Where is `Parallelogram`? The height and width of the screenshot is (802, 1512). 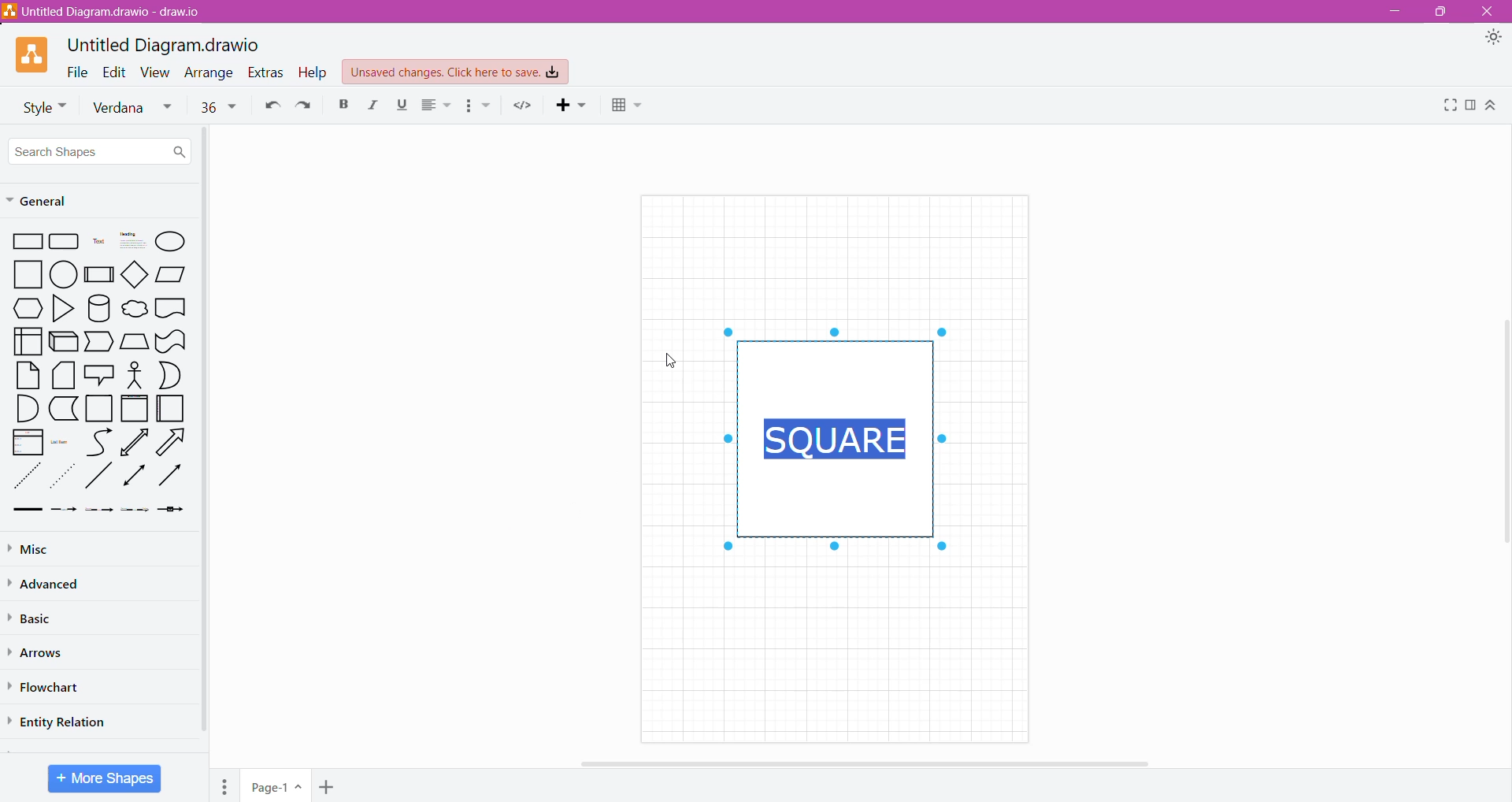
Parallelogram is located at coordinates (172, 275).